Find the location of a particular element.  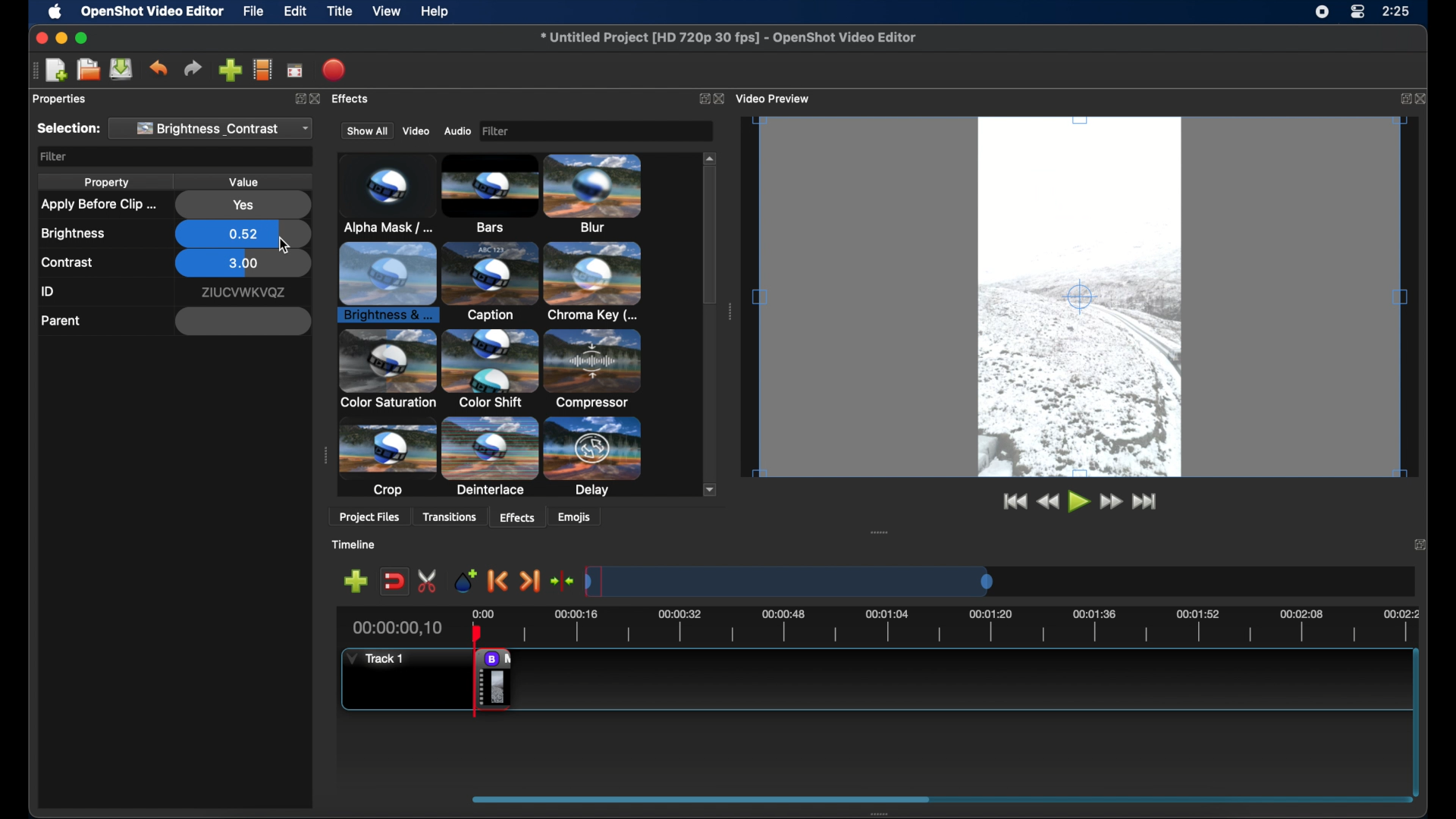

add marker is located at coordinates (460, 579).